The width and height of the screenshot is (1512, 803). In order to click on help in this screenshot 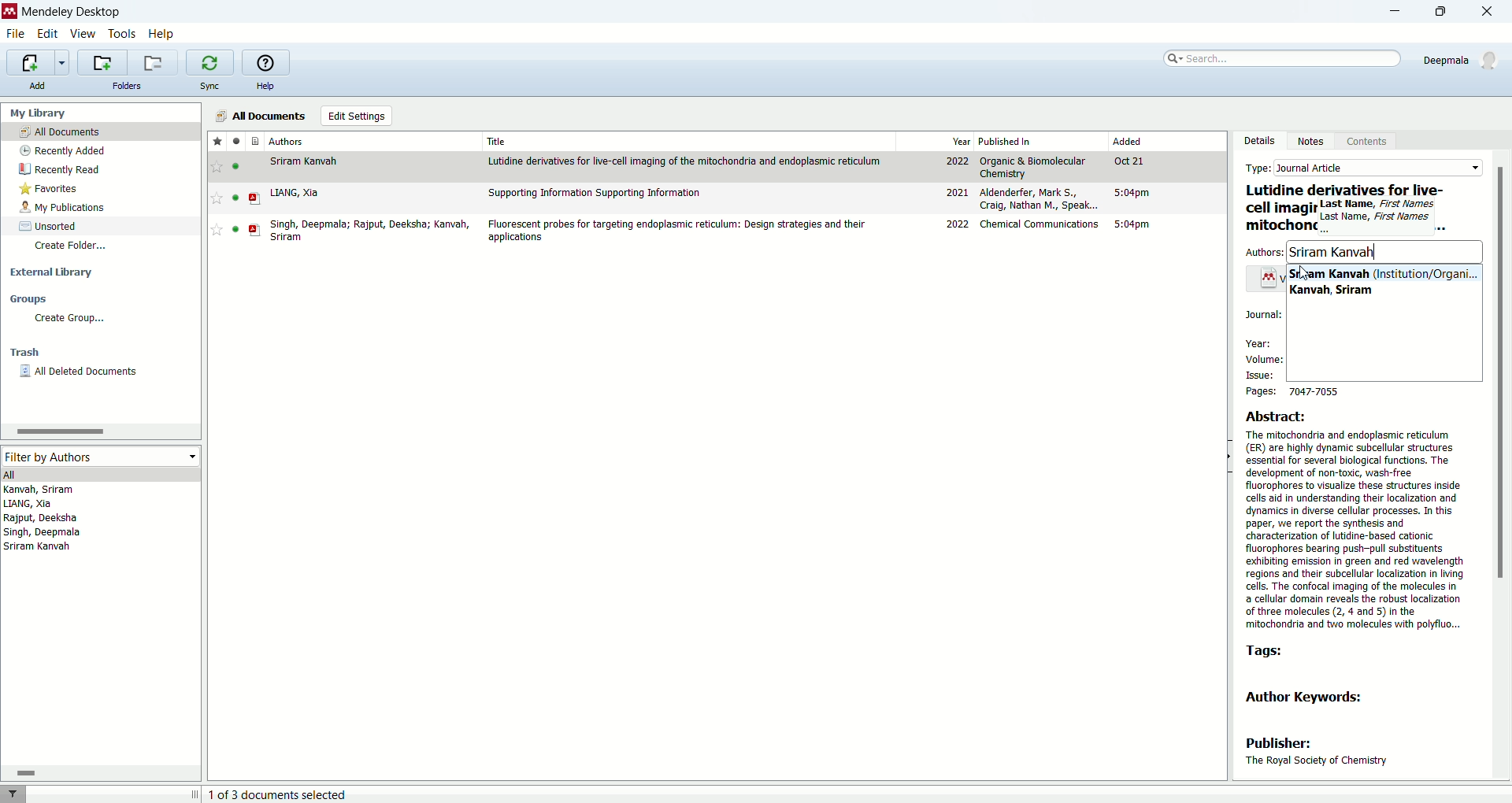, I will do `click(265, 86)`.